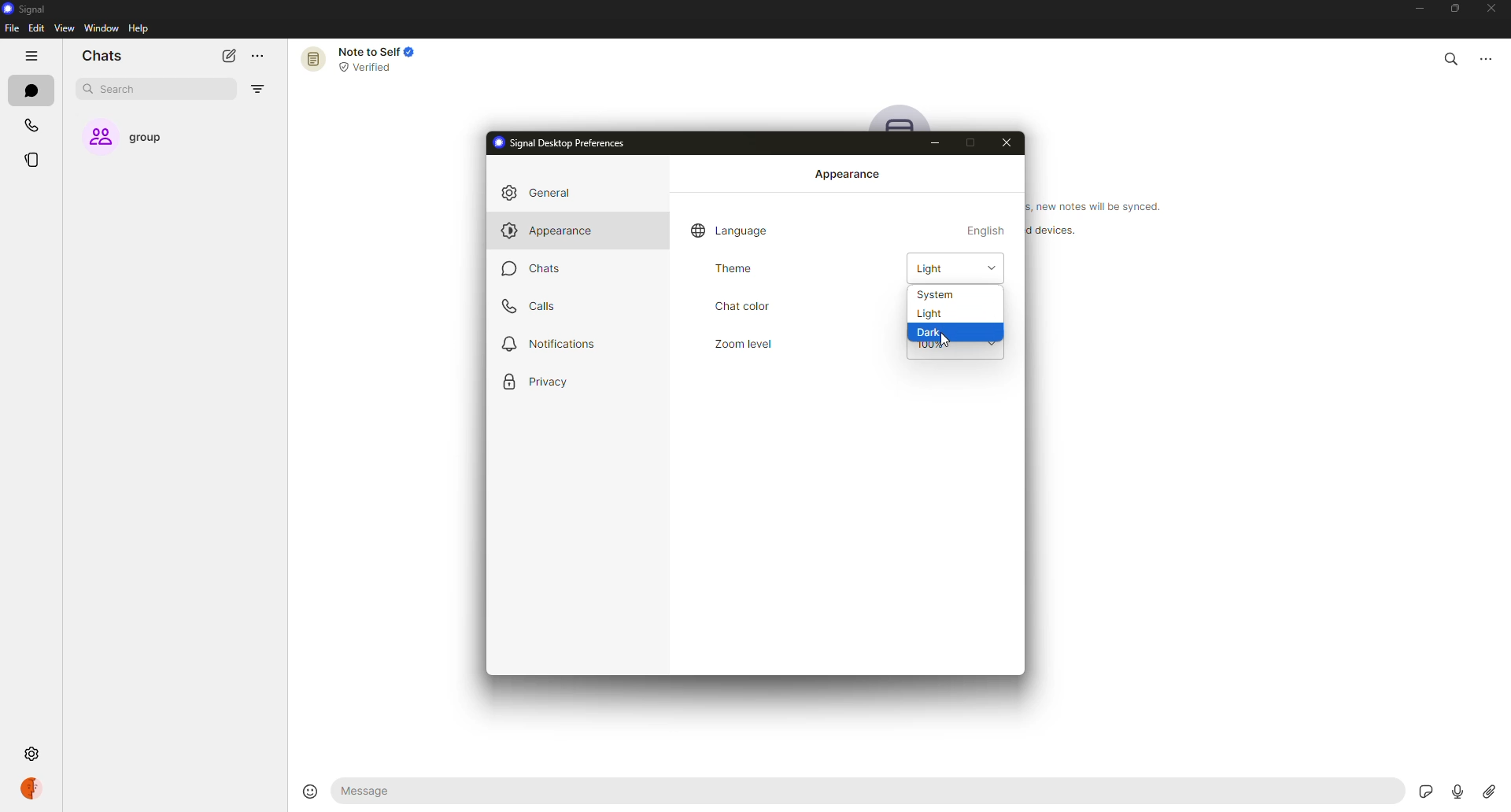 This screenshot has height=812, width=1511. What do you see at coordinates (104, 754) in the screenshot?
I see `settings` at bounding box center [104, 754].